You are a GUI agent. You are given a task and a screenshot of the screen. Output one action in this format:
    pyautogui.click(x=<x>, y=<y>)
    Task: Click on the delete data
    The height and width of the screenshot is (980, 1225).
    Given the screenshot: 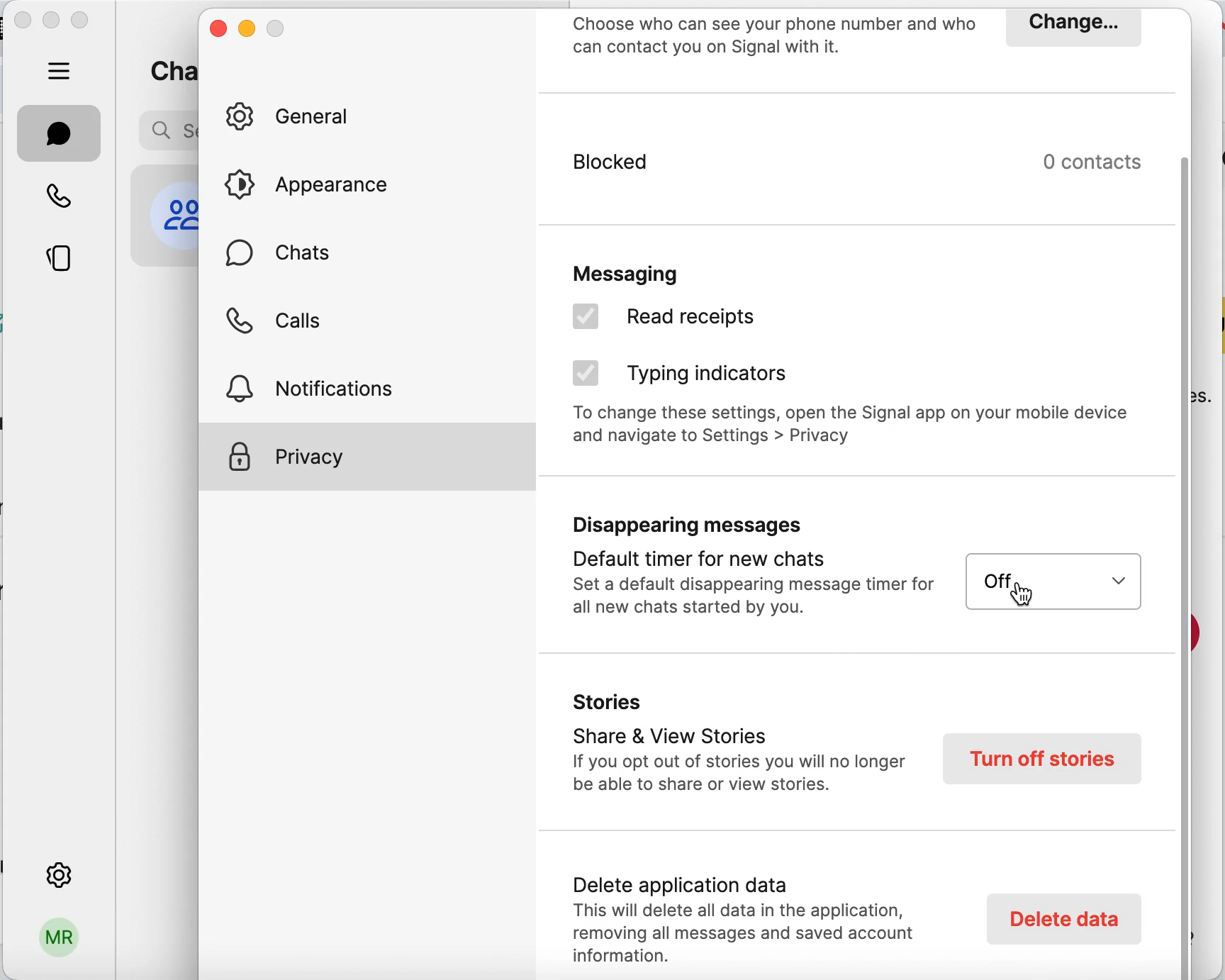 What is the action you would take?
    pyautogui.click(x=1061, y=918)
    